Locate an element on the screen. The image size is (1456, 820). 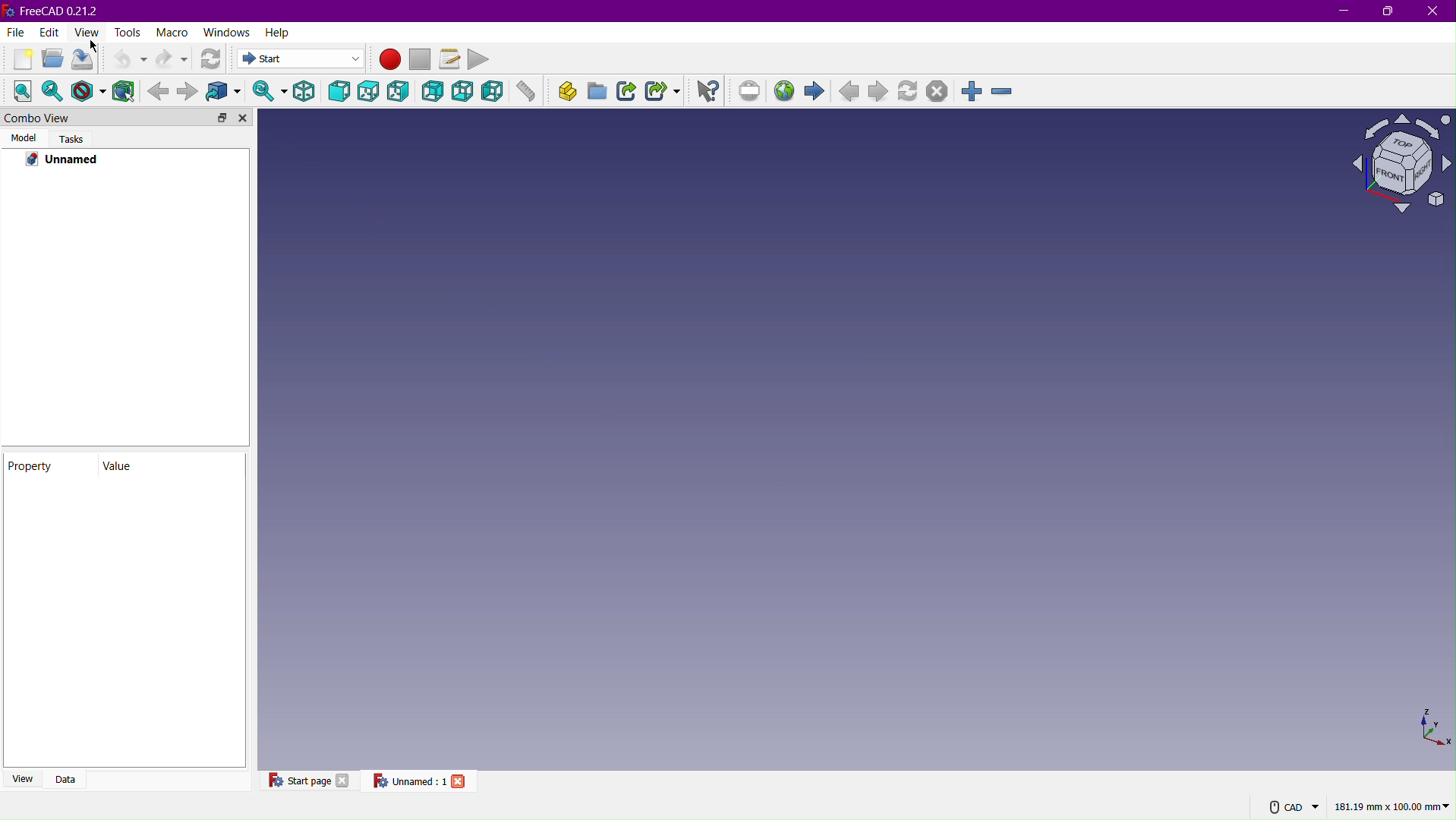
Forward is located at coordinates (188, 93).